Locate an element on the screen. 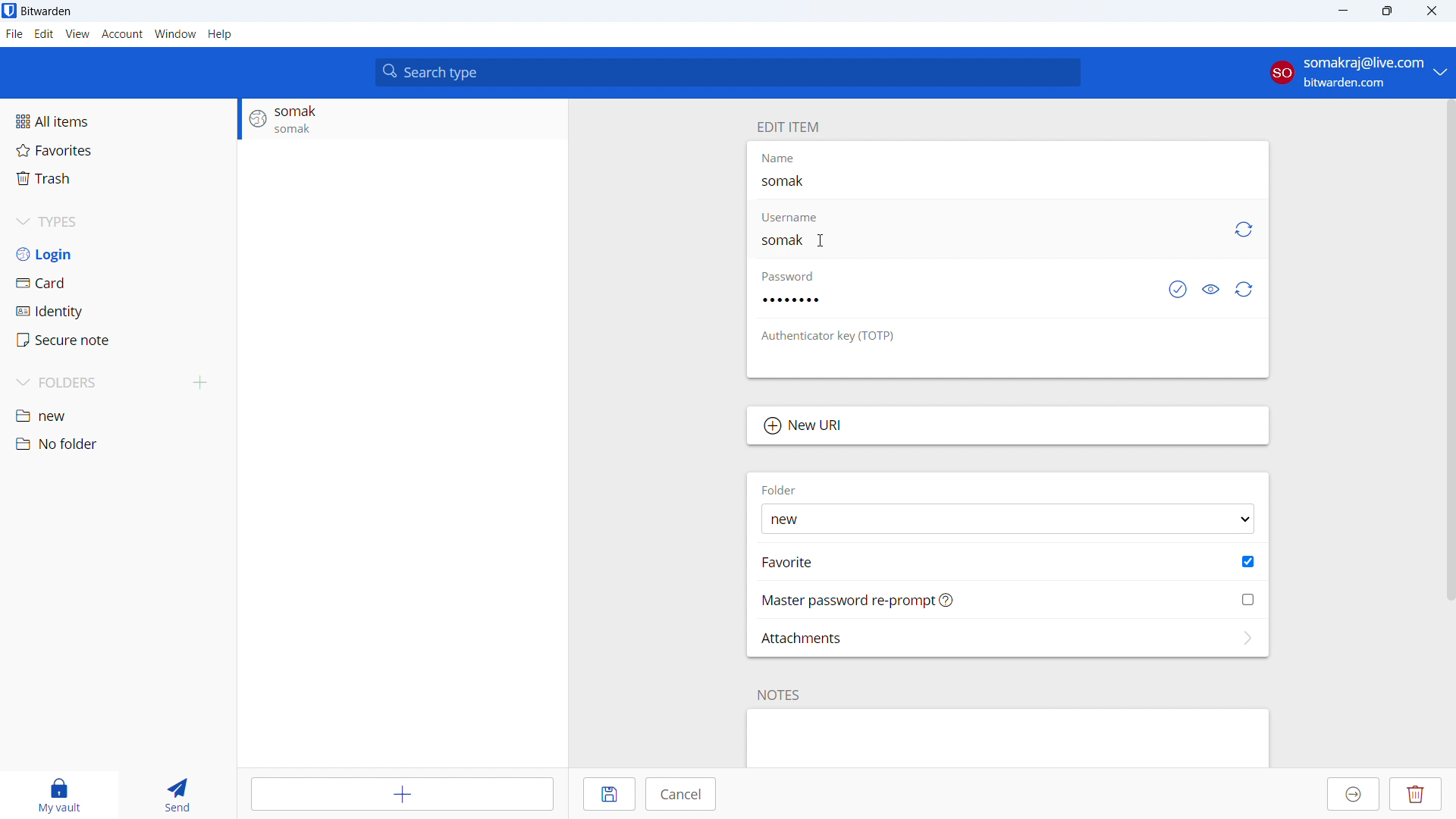 The width and height of the screenshot is (1456, 819). toggle visibility is located at coordinates (1213, 288).